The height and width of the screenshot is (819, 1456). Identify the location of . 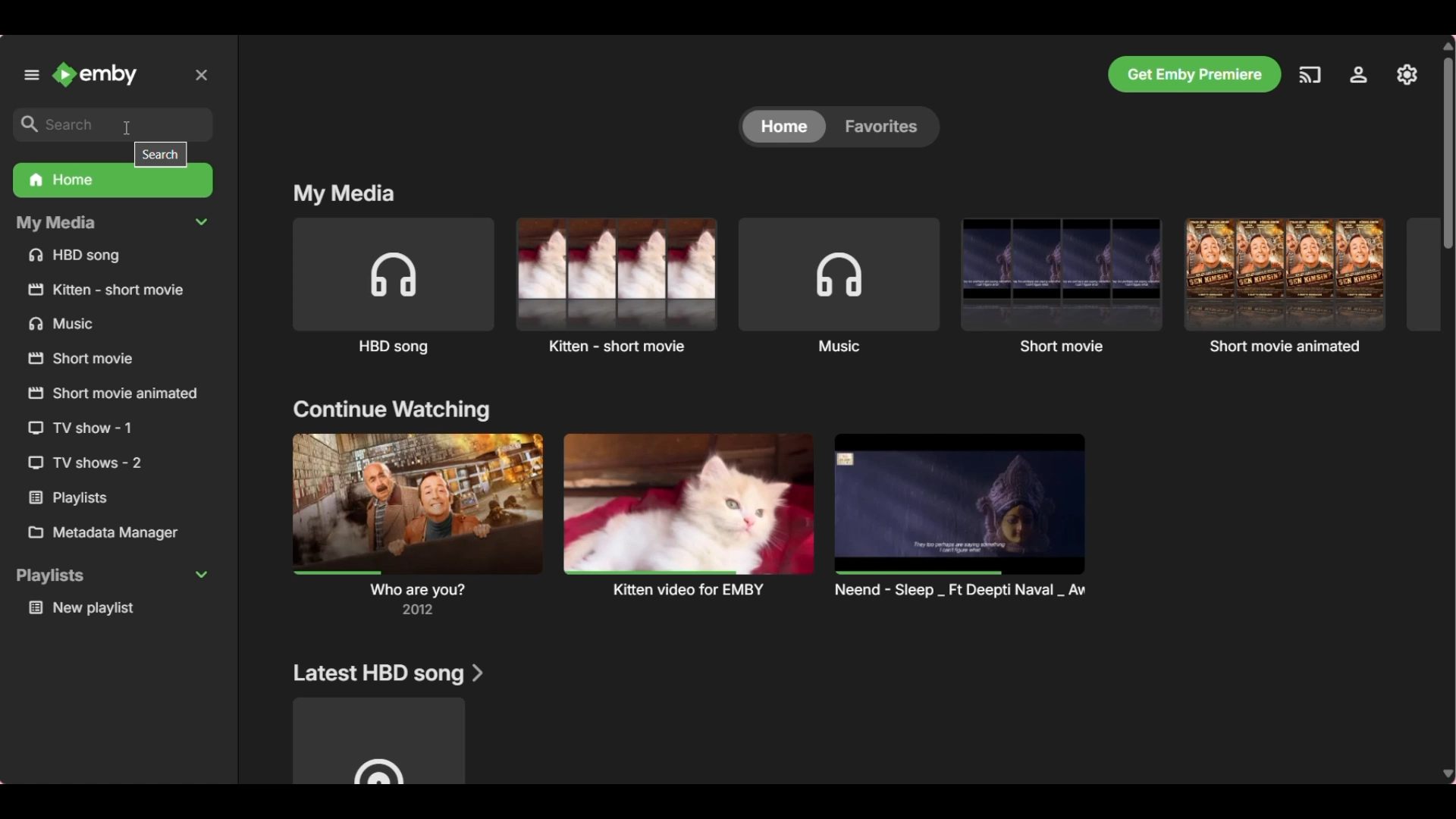
(112, 394).